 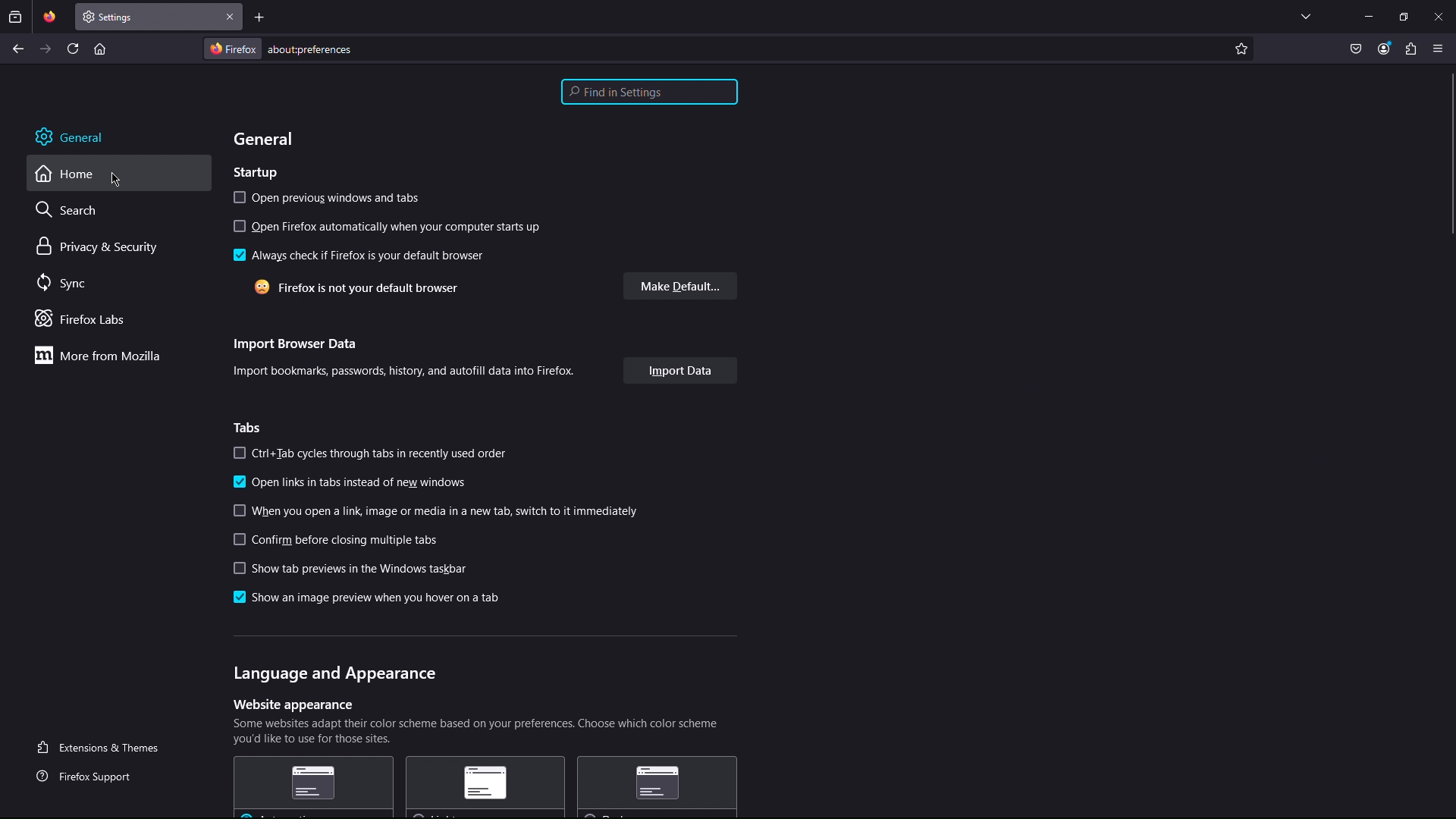 I want to click on More from Mozilla, so click(x=96, y=355).